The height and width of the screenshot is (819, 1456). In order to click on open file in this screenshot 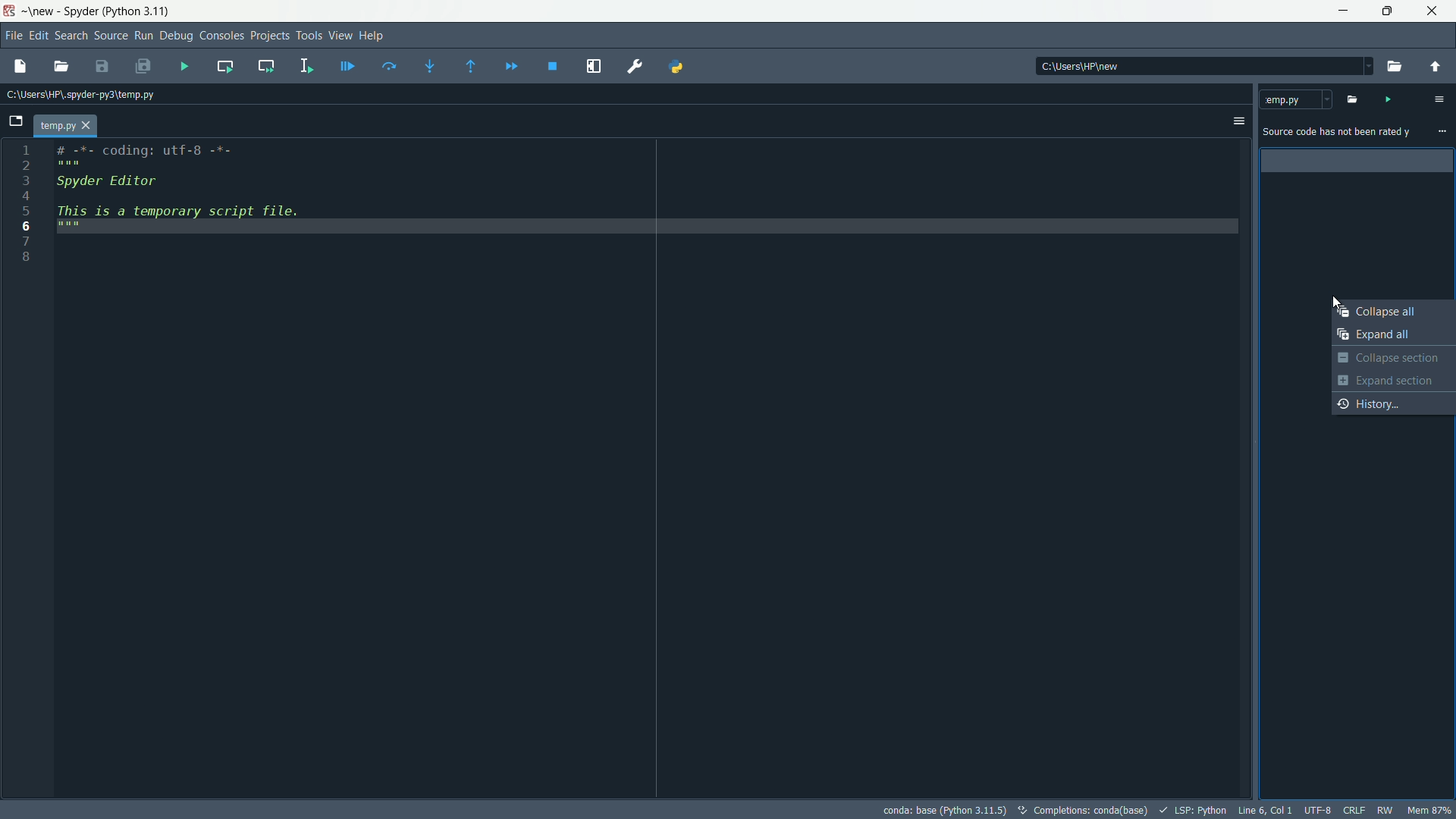, I will do `click(1351, 99)`.